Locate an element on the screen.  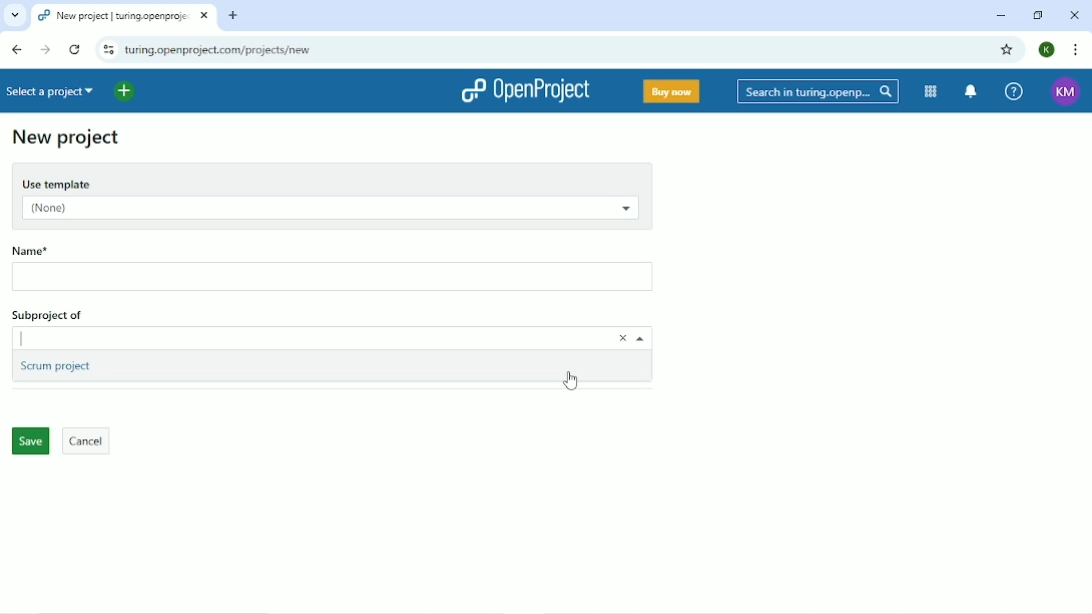
Minimize is located at coordinates (1001, 17).